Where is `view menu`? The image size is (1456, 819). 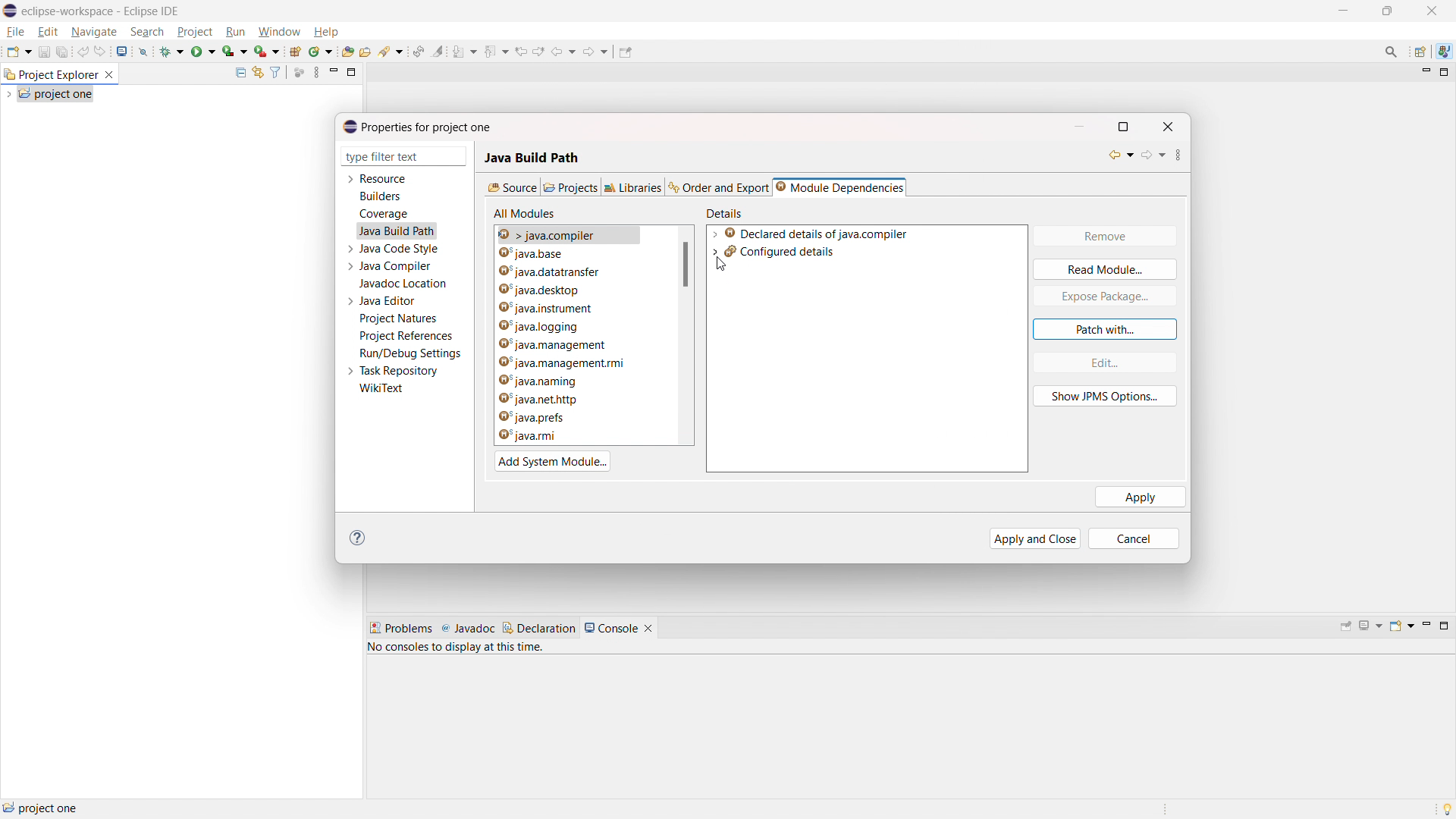 view menu is located at coordinates (1186, 155).